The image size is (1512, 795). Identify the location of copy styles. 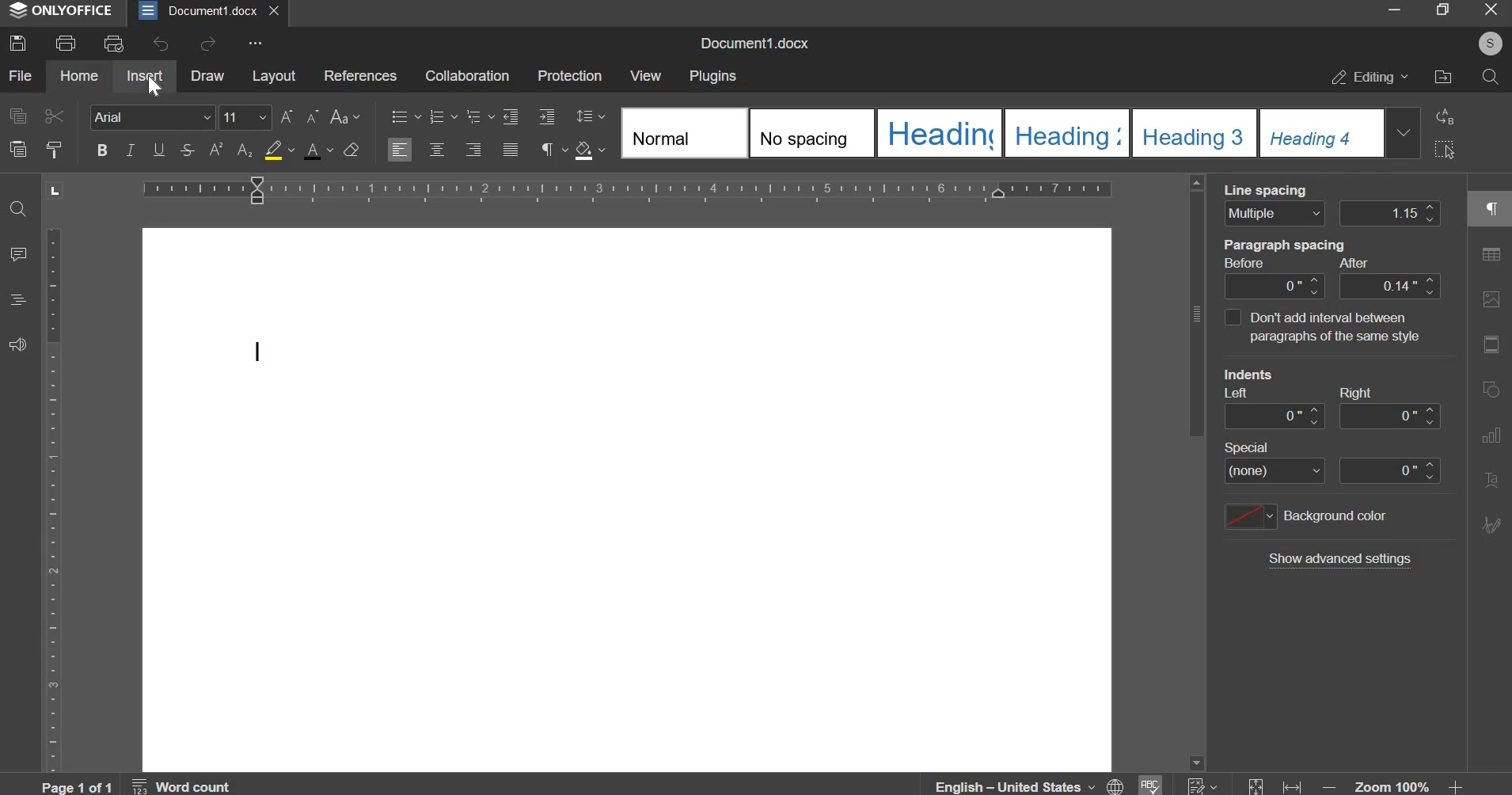
(54, 147).